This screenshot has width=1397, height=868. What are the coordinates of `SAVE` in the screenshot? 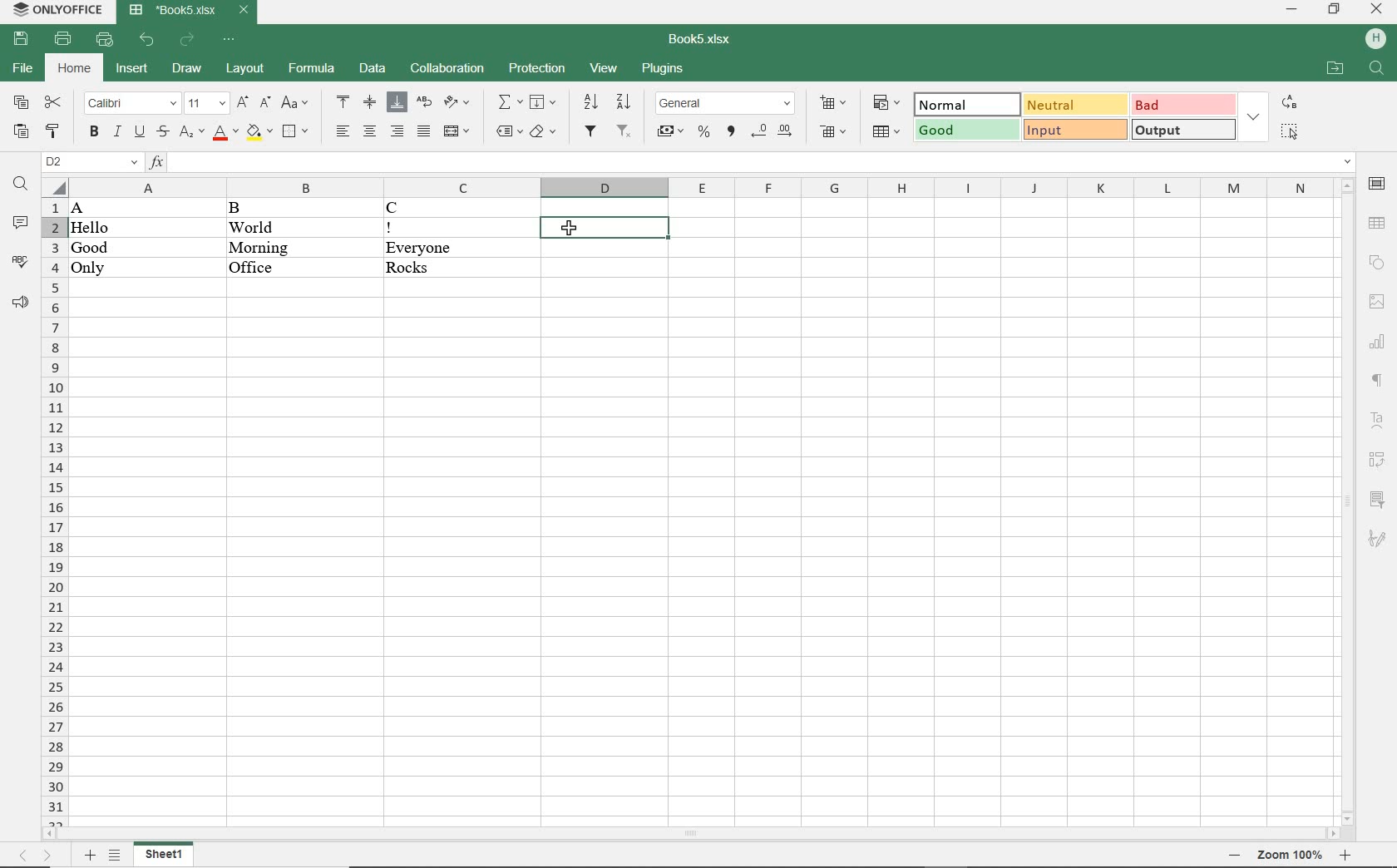 It's located at (23, 39).